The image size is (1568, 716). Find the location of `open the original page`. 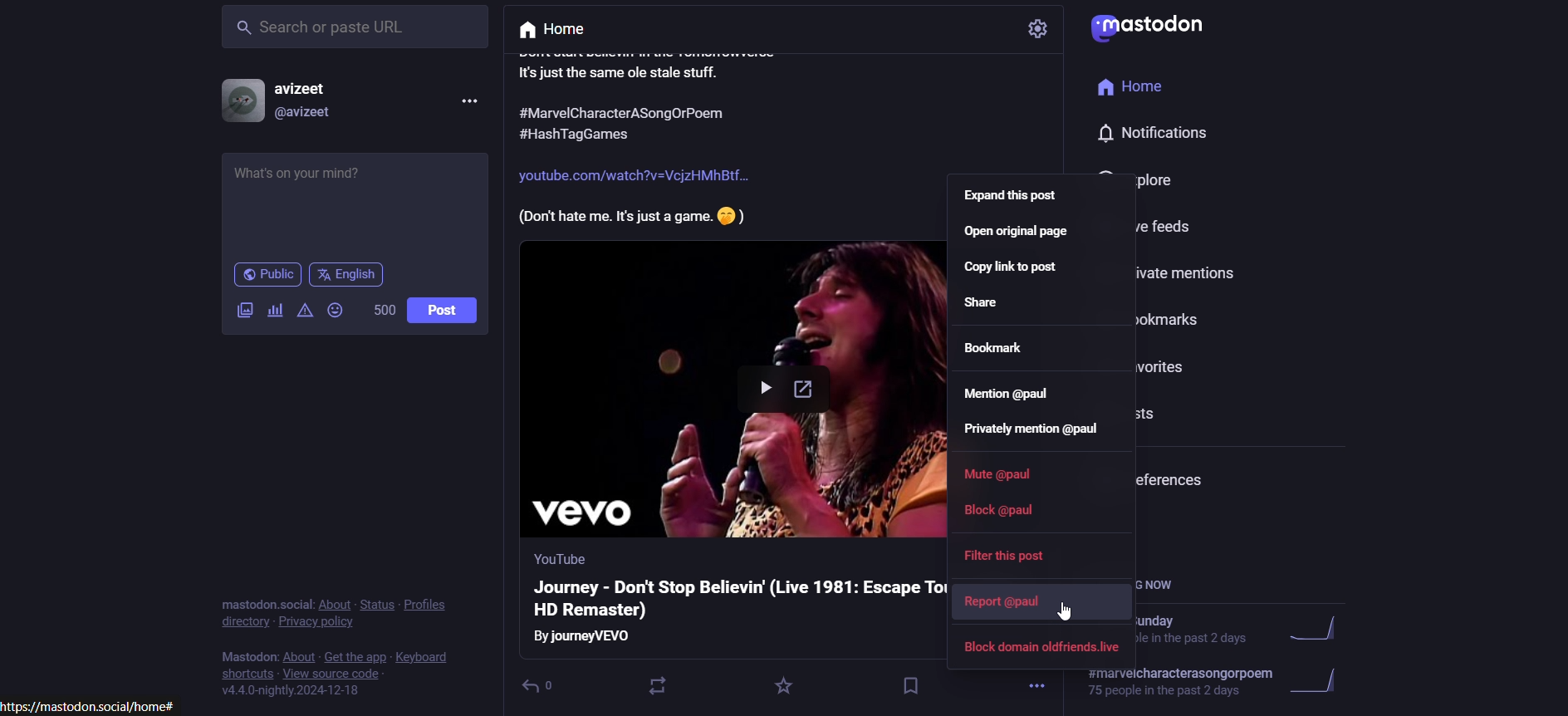

open the original page is located at coordinates (1020, 236).